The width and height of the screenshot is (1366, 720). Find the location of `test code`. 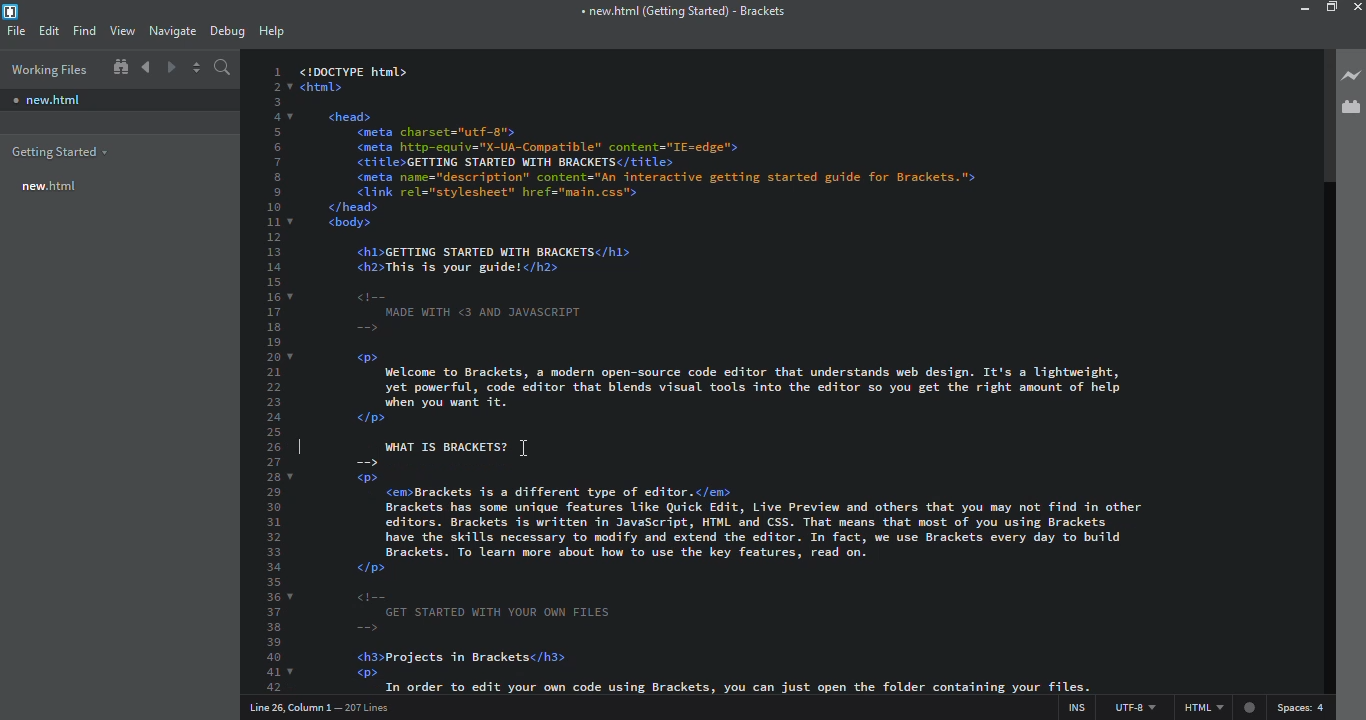

test code is located at coordinates (799, 235).